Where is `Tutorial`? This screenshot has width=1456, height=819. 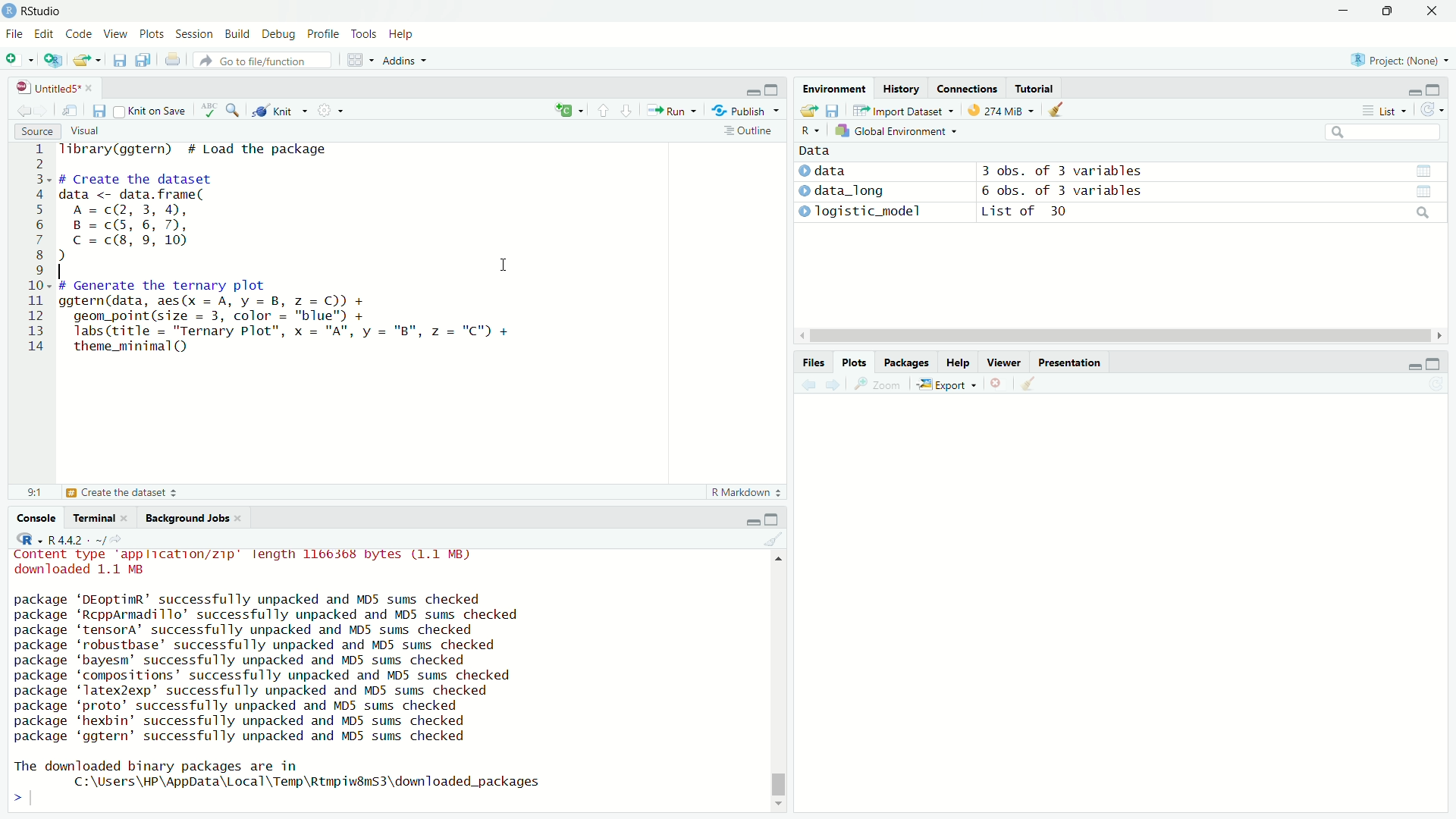 Tutorial is located at coordinates (1036, 87).